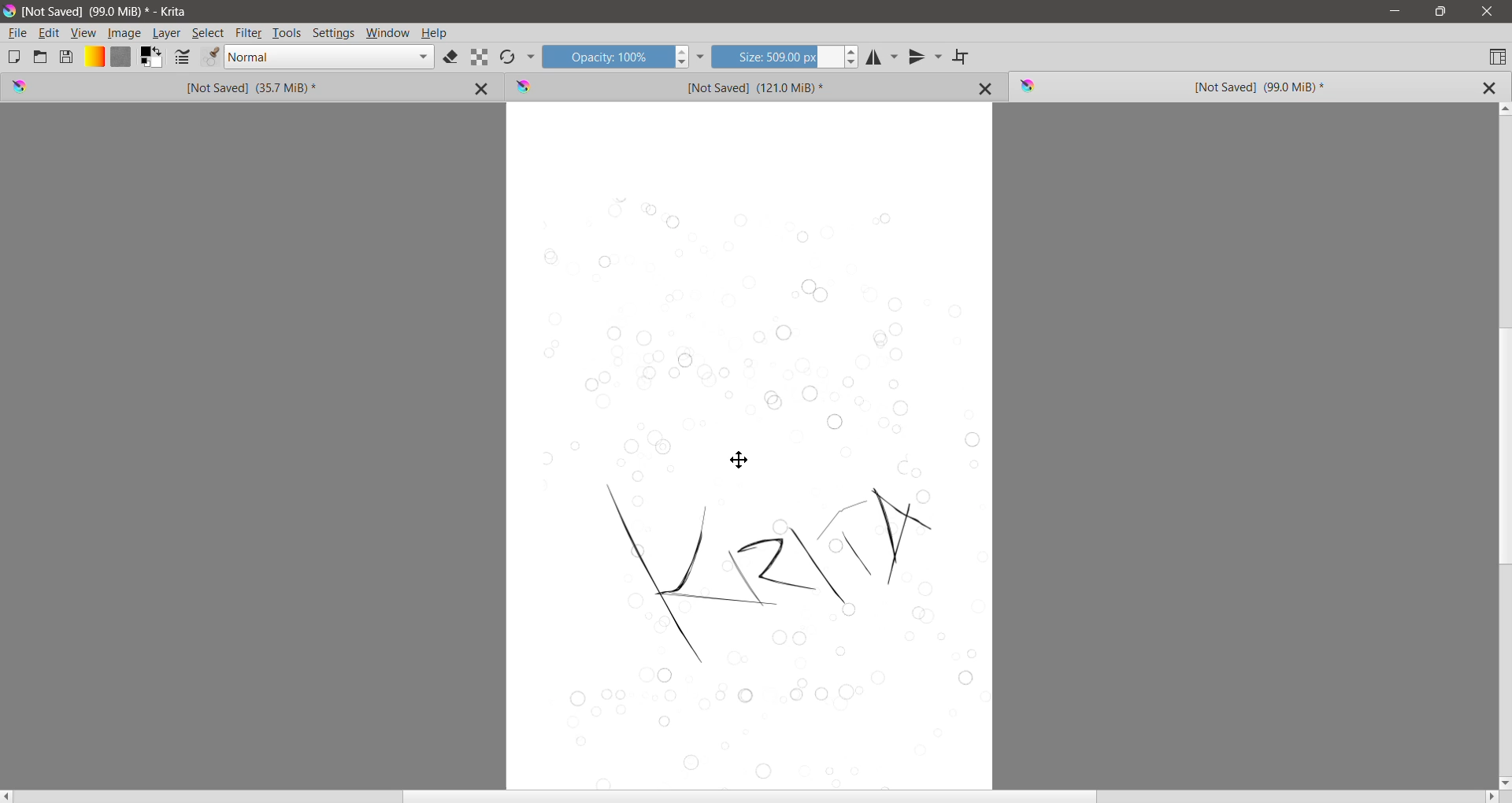 This screenshot has height=803, width=1512. I want to click on Unsaved Image Tab 1, so click(201, 87).